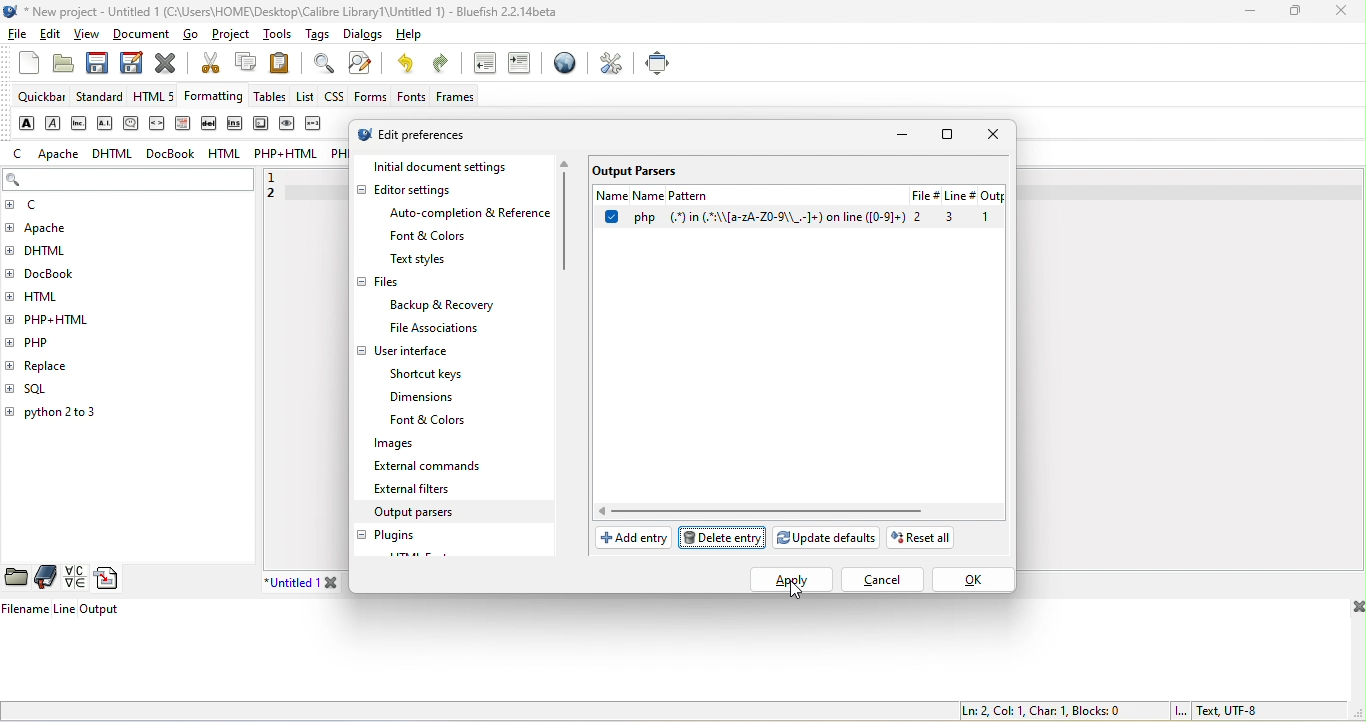 This screenshot has width=1366, height=722. Describe the element at coordinates (994, 196) in the screenshot. I see `output` at that location.